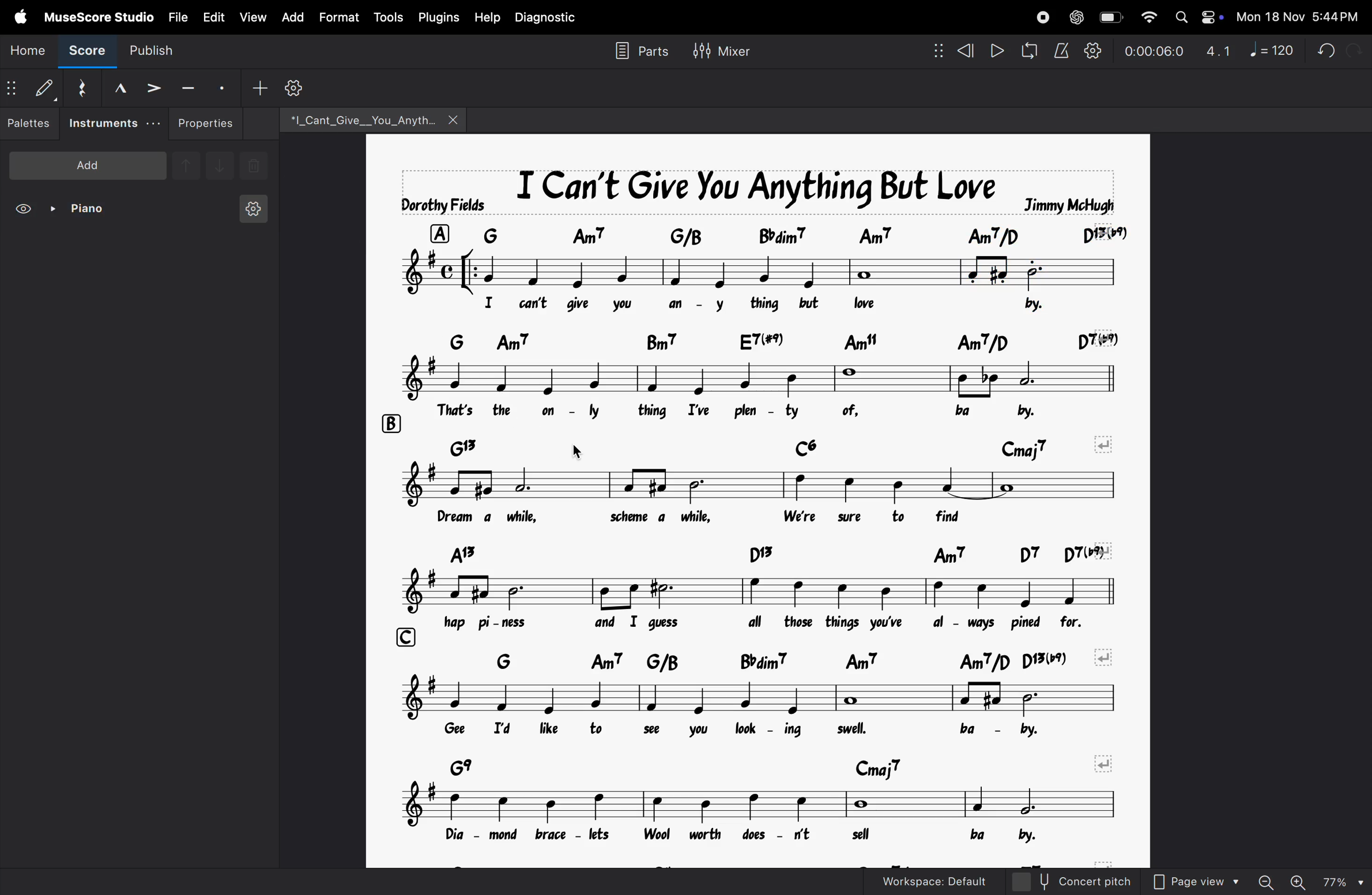 The width and height of the screenshot is (1372, 895). What do you see at coordinates (1071, 881) in the screenshot?
I see `concert pitch` at bounding box center [1071, 881].